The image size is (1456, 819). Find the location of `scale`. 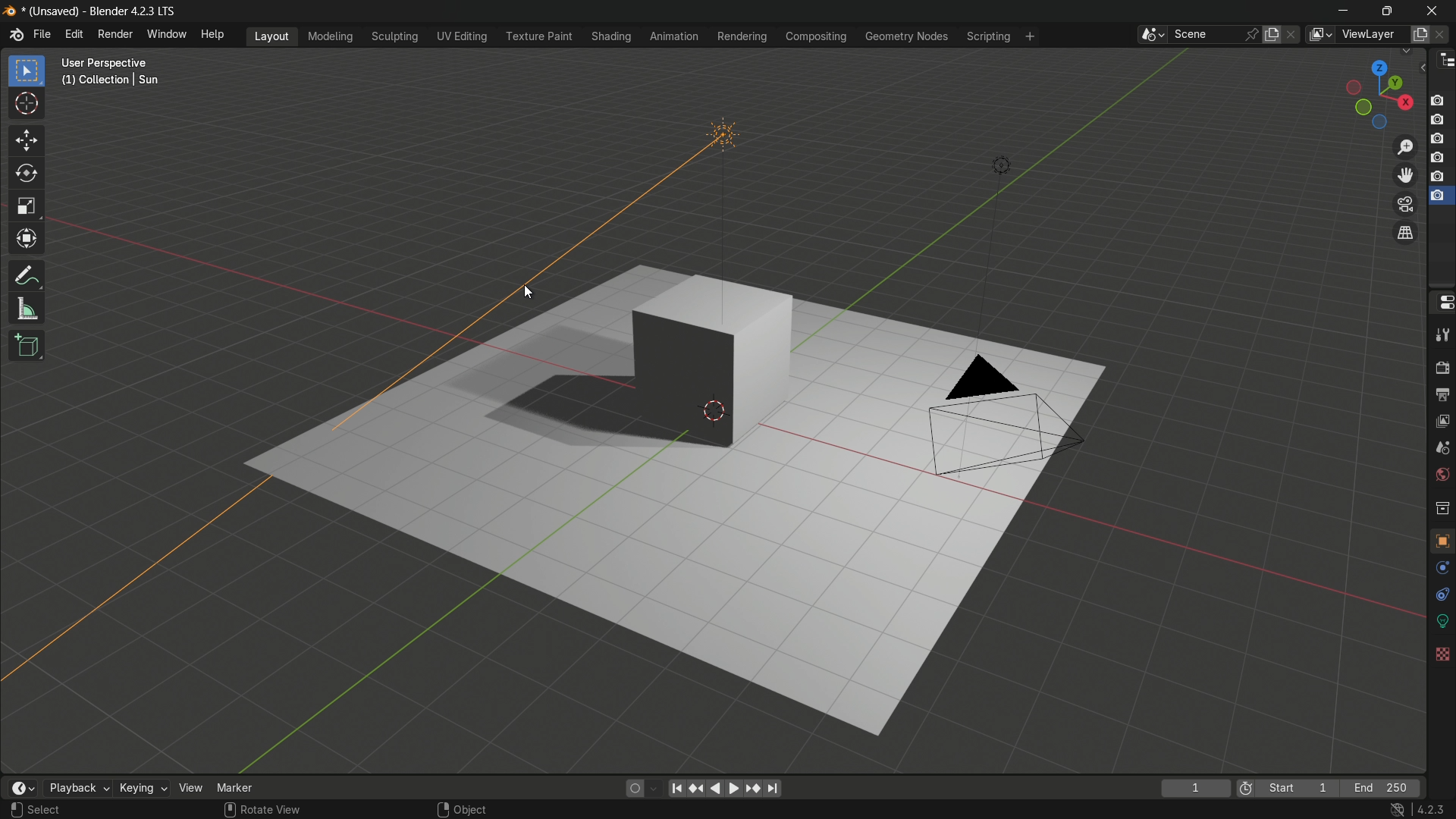

scale is located at coordinates (26, 208).